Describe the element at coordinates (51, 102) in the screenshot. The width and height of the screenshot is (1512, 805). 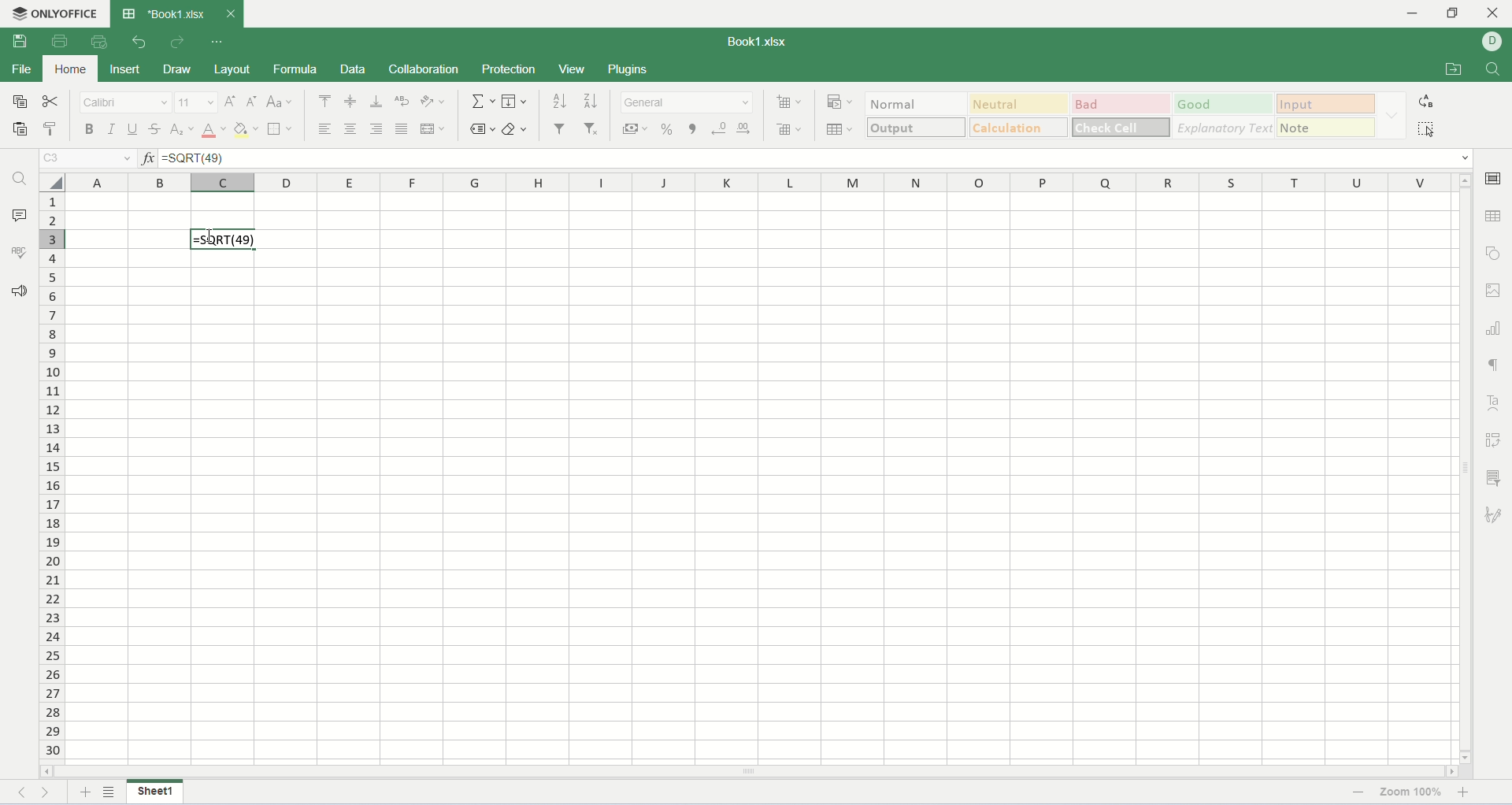
I see `cut` at that location.